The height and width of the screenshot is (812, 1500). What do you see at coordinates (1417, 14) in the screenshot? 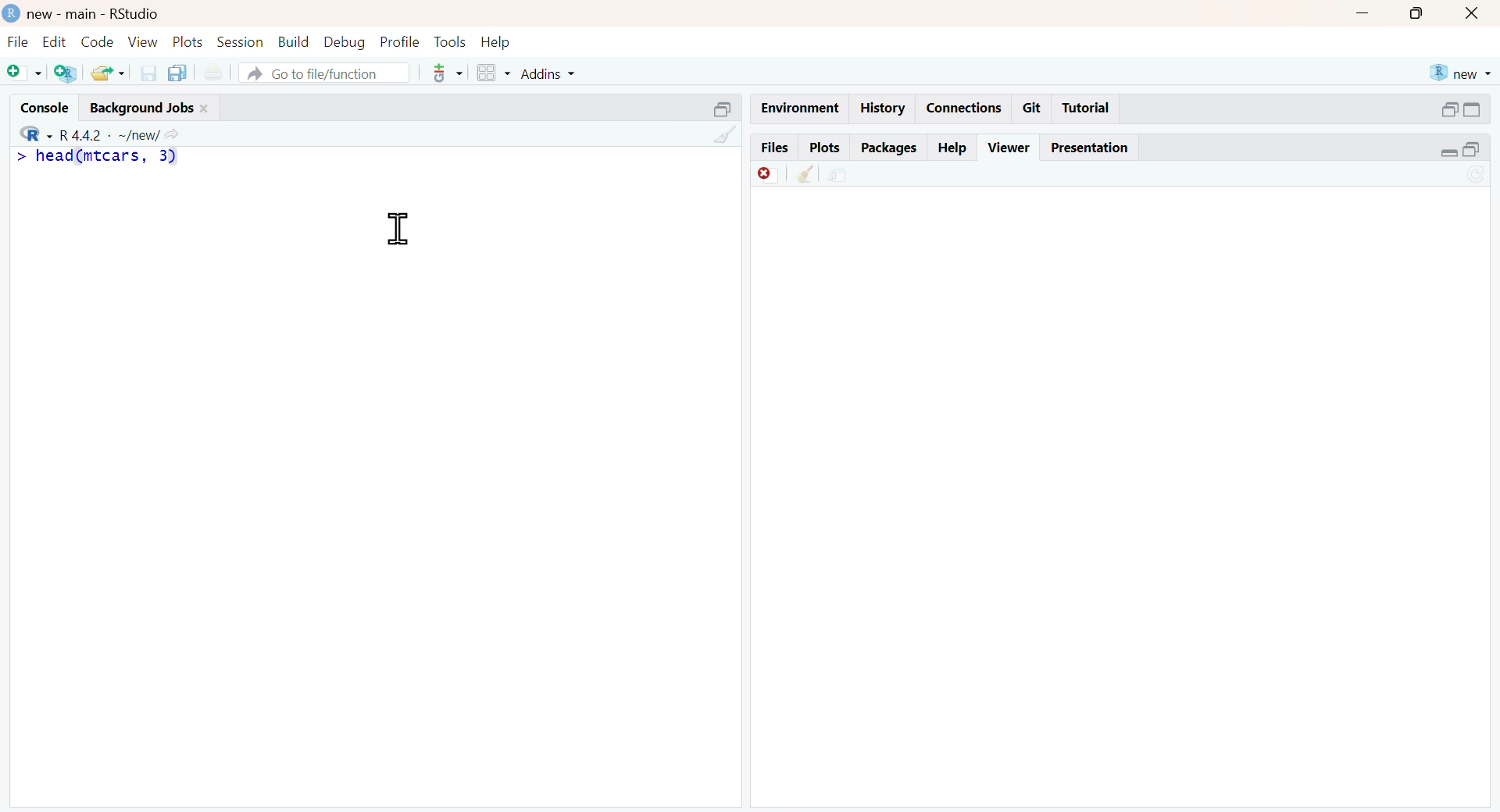
I see `maximize` at bounding box center [1417, 14].